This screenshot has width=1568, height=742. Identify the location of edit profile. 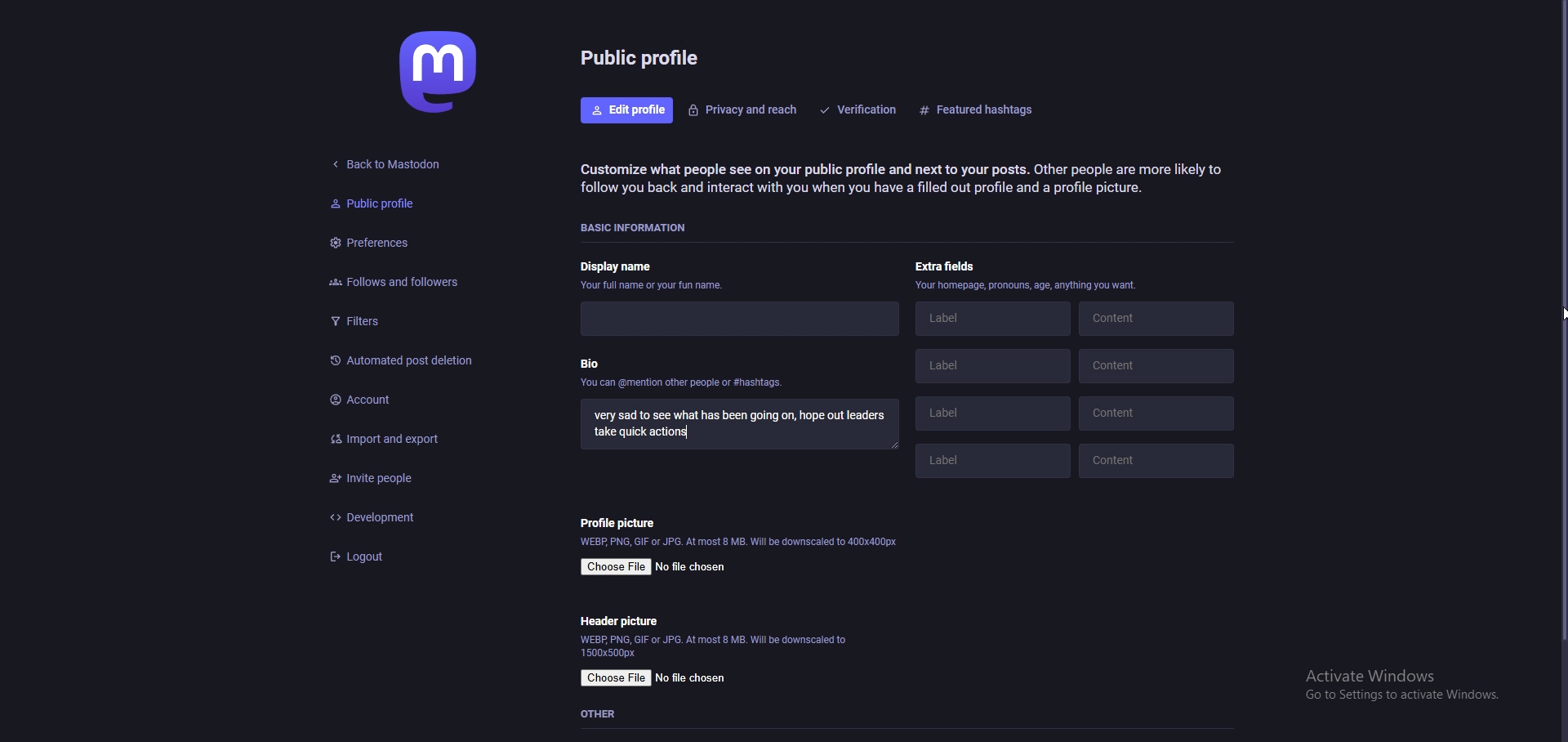
(629, 110).